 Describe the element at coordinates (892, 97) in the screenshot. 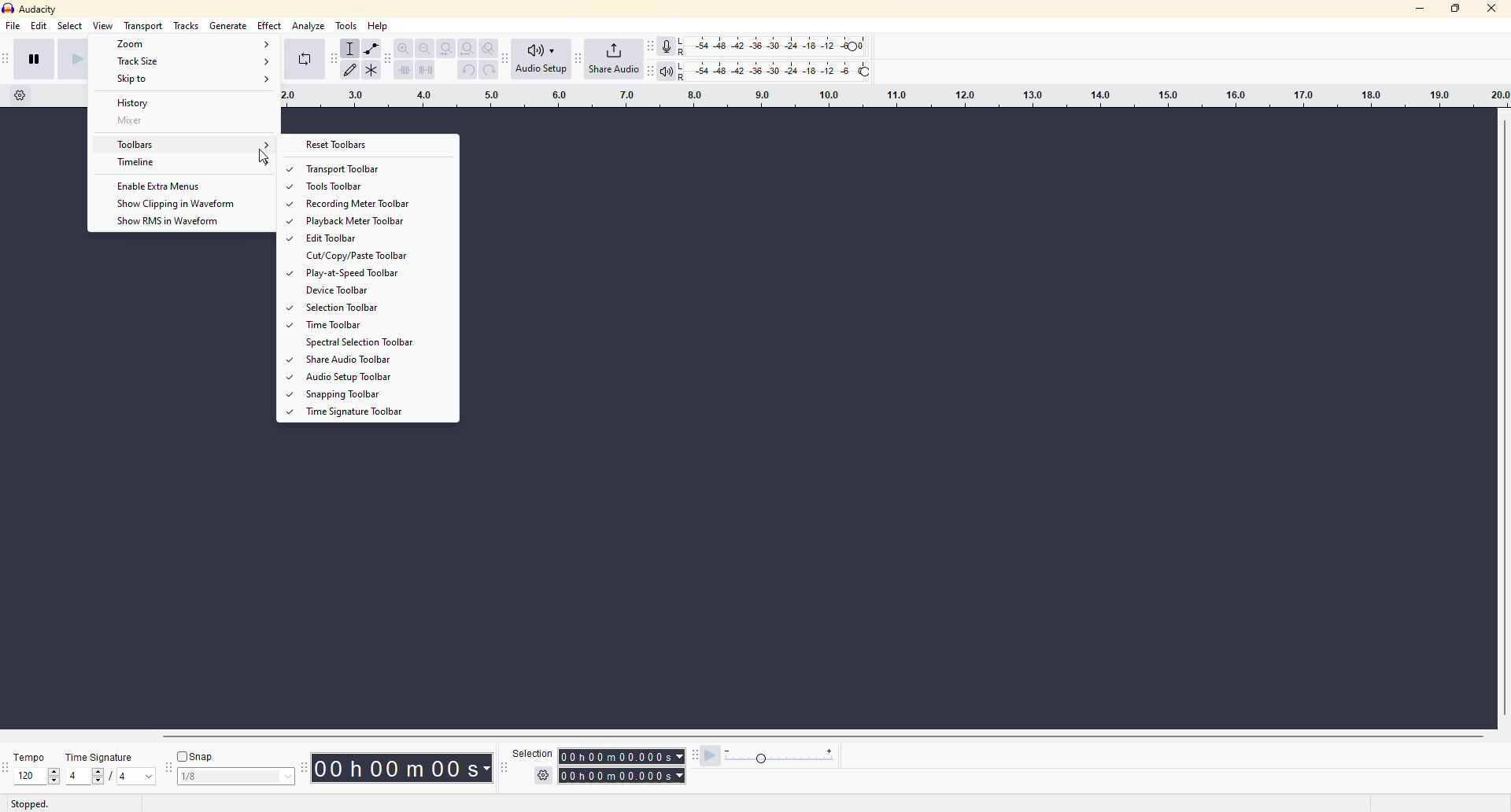

I see `click and drag to define a looping region` at that location.